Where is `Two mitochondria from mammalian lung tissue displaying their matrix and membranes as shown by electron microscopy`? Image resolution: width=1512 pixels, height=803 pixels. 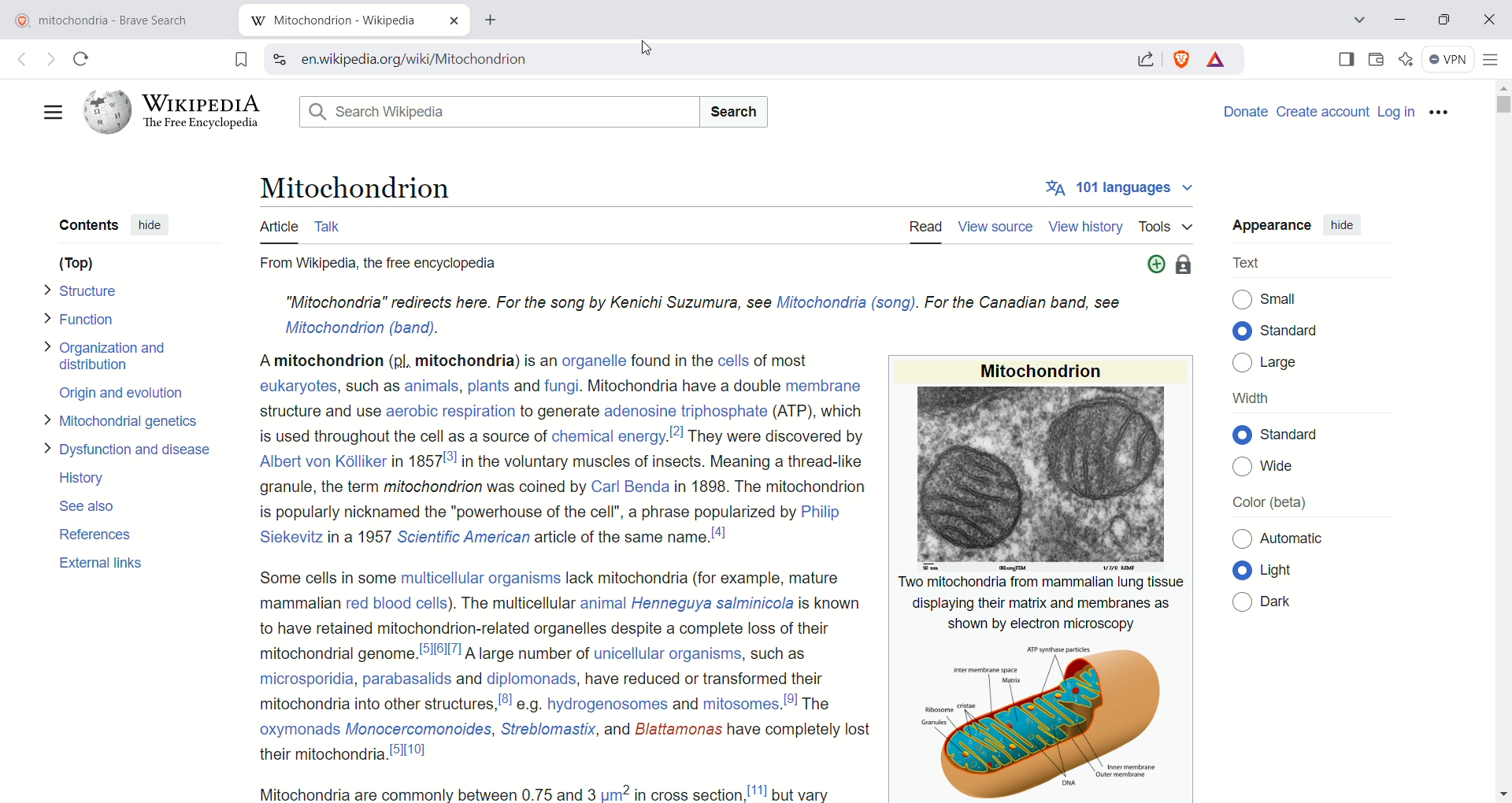 Two mitochondria from mammalian lung tissue displaying their matrix and membranes as shown by electron microscopy is located at coordinates (1035, 602).